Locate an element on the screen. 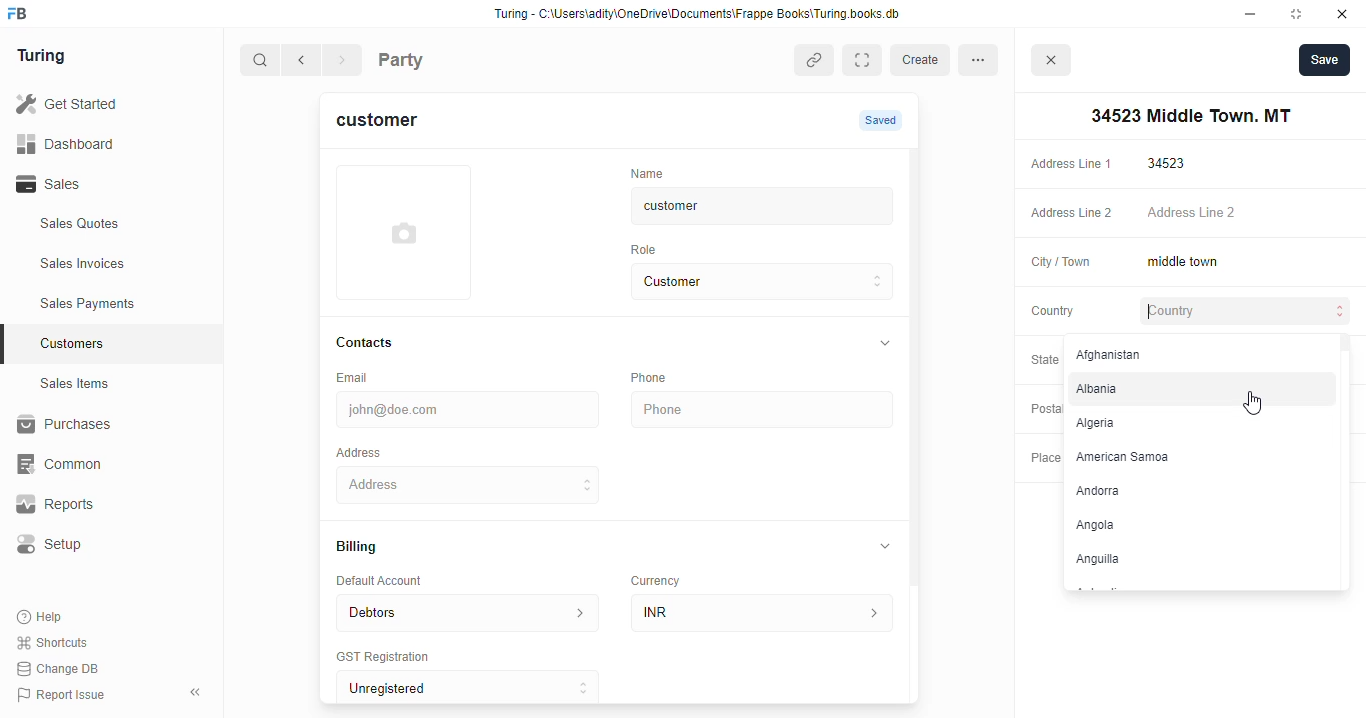  minimise is located at coordinates (1251, 14).